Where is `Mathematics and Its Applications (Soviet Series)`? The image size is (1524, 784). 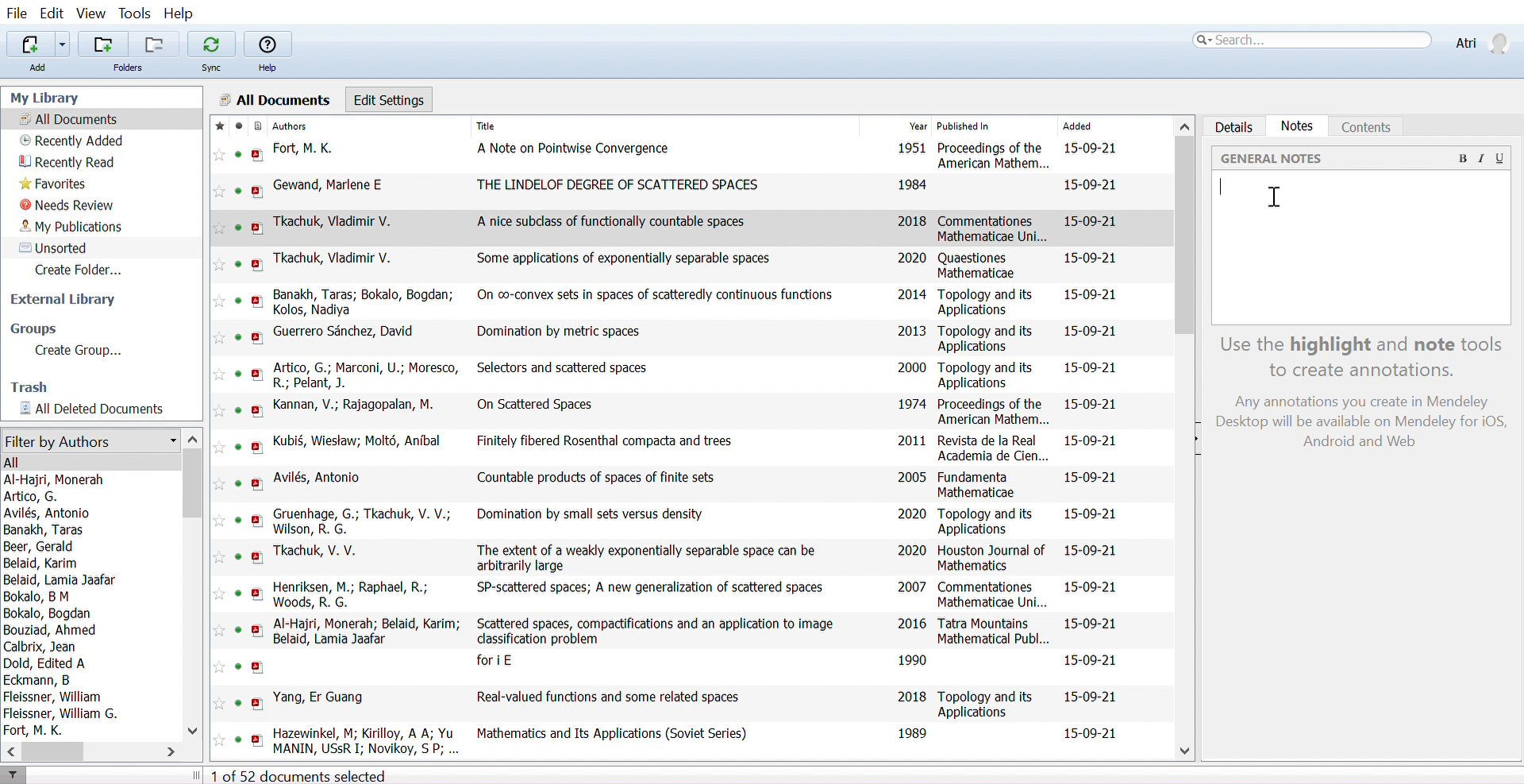 Mathematics and Its Applications (Soviet Series) is located at coordinates (617, 735).